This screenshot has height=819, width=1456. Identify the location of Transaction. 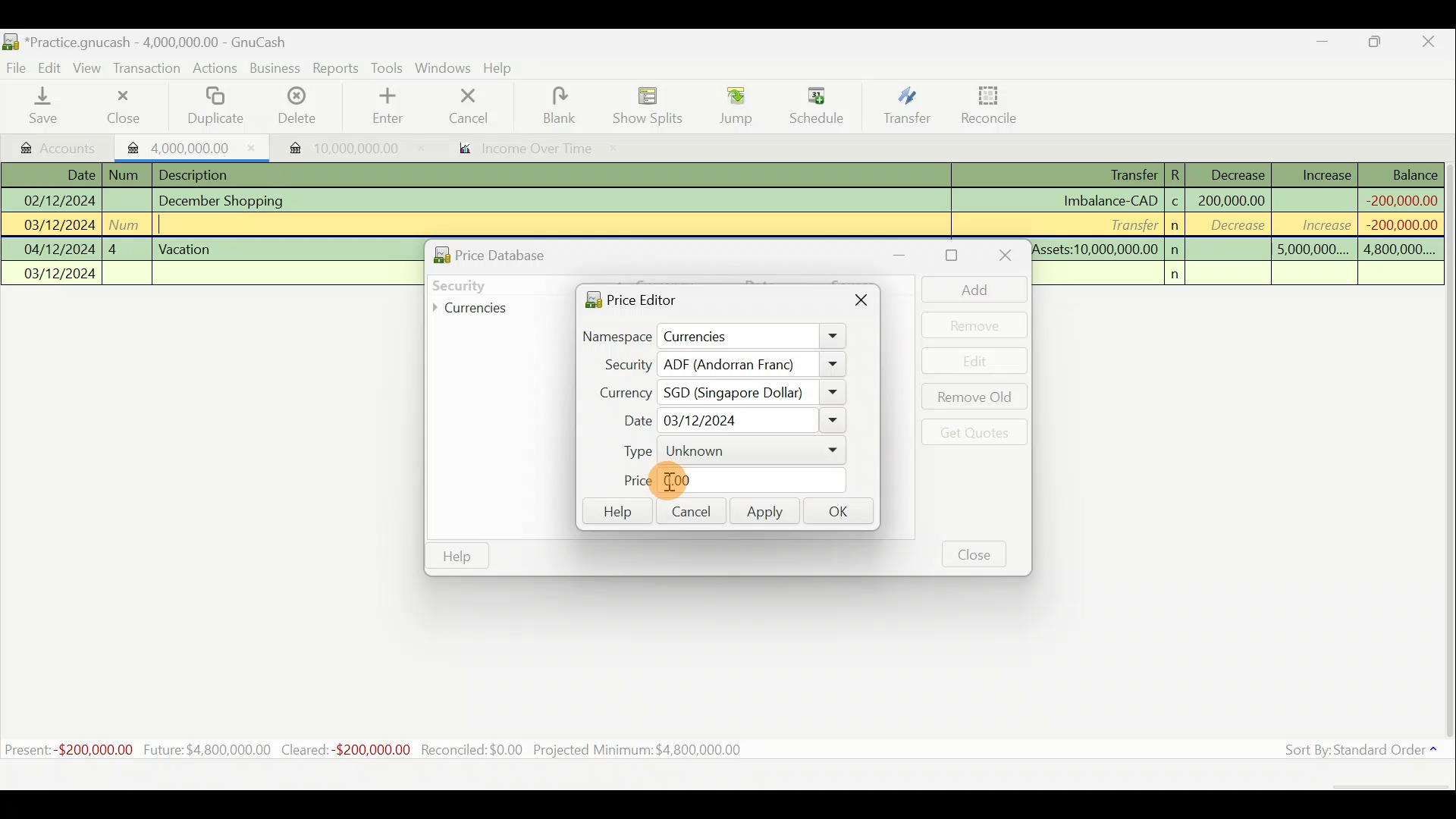
(151, 70).